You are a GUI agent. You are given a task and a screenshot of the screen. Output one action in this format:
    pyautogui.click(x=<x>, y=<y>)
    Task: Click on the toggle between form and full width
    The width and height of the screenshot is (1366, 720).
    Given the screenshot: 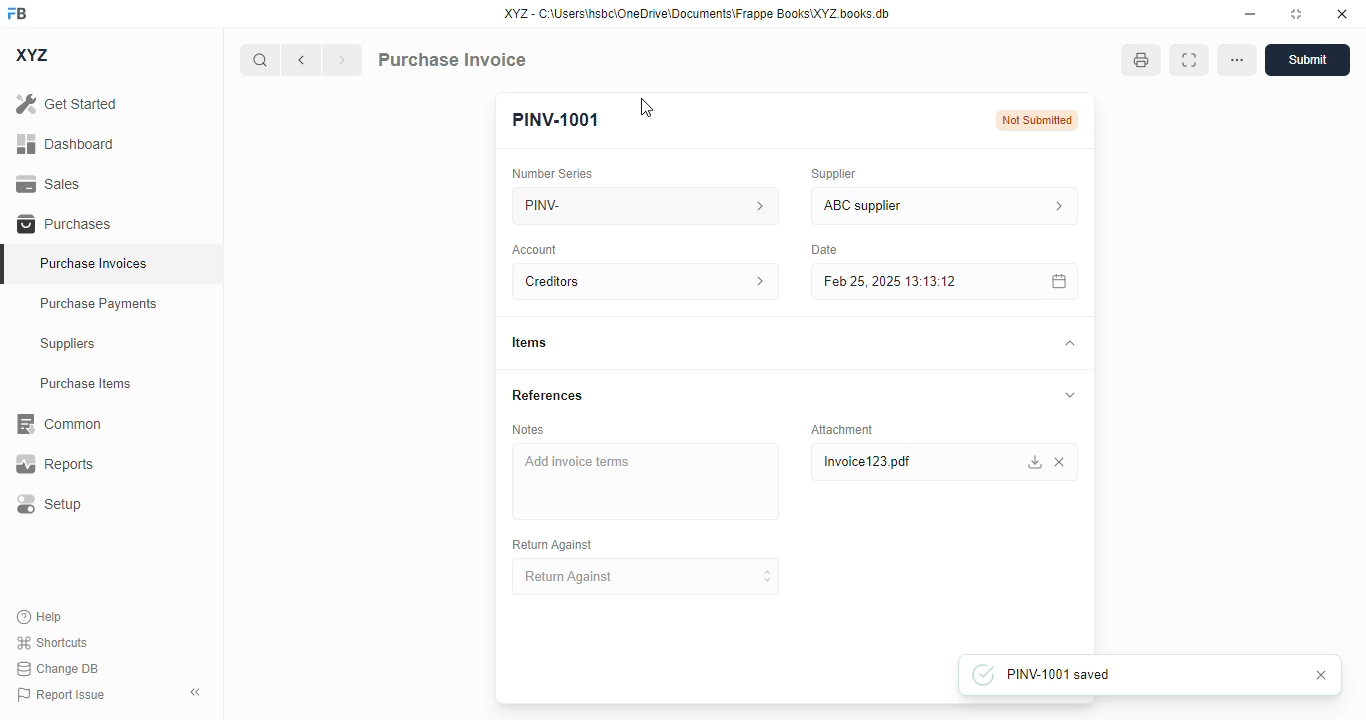 What is the action you would take?
    pyautogui.click(x=1188, y=60)
    